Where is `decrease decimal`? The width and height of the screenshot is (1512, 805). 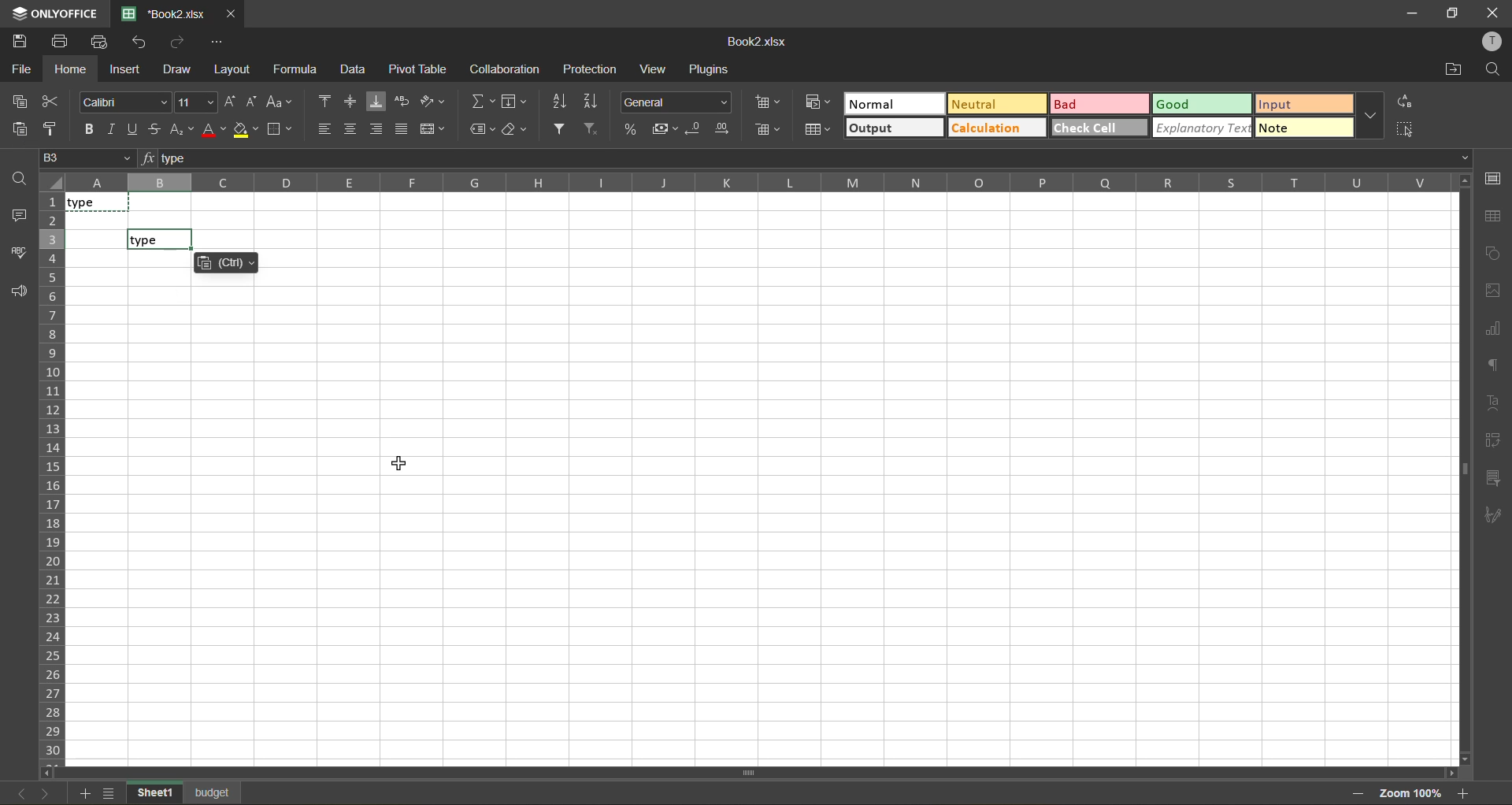
decrease decimal is located at coordinates (694, 129).